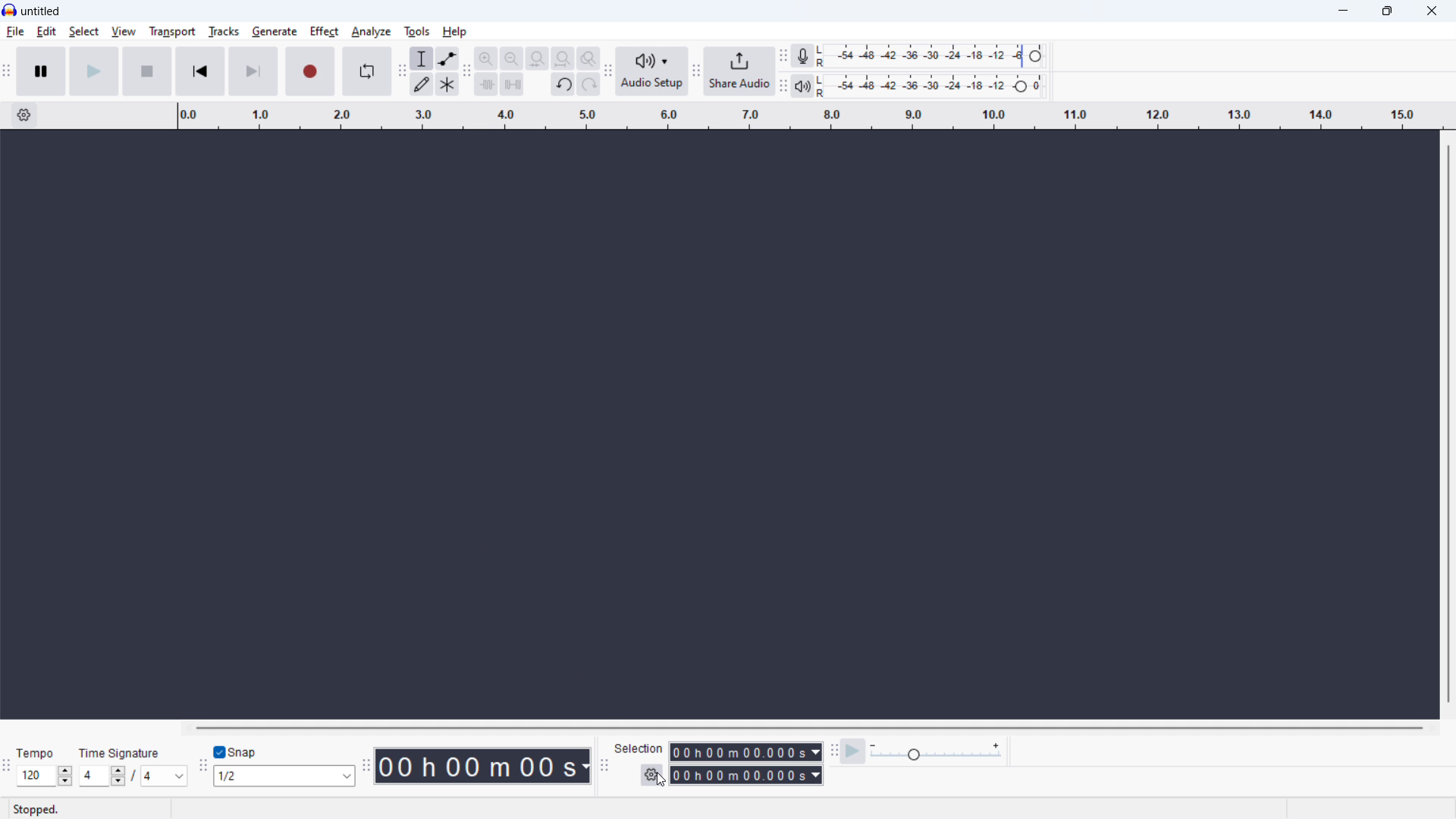 This screenshot has width=1456, height=819. I want to click on analyze, so click(372, 32).